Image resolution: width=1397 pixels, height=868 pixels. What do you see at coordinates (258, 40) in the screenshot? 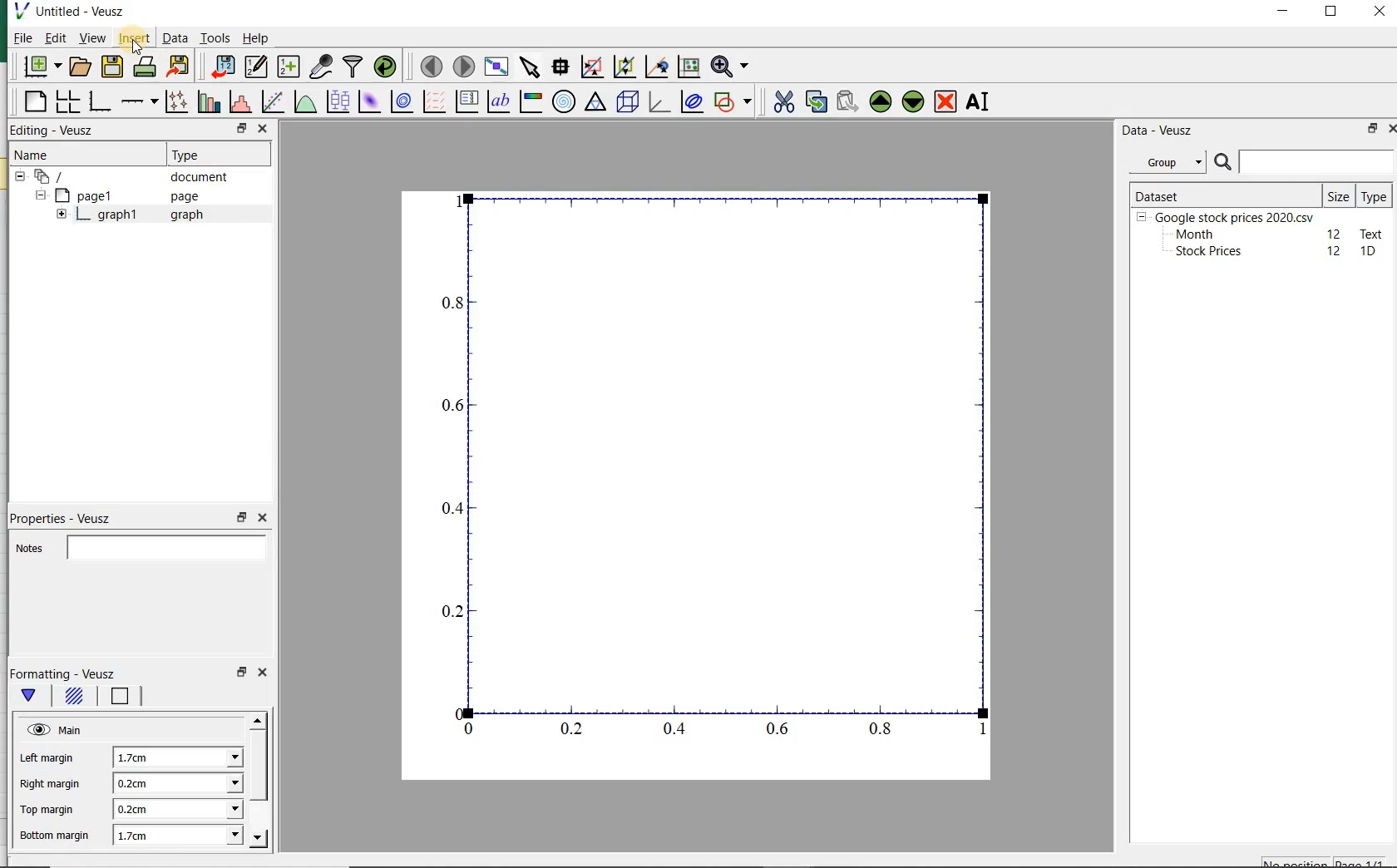
I see `Help` at bounding box center [258, 40].